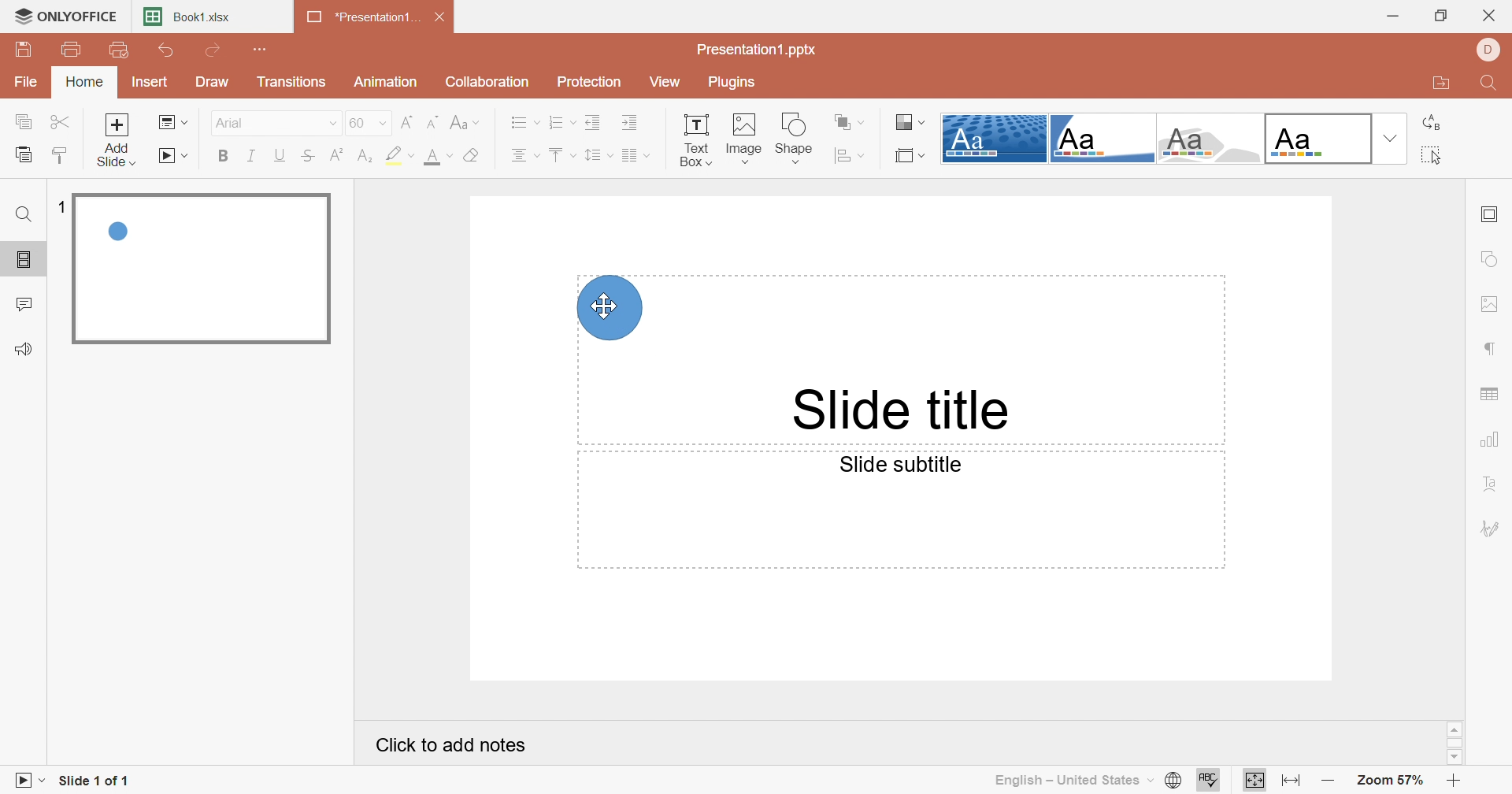 This screenshot has width=1512, height=794. I want to click on Dotted, so click(993, 139).